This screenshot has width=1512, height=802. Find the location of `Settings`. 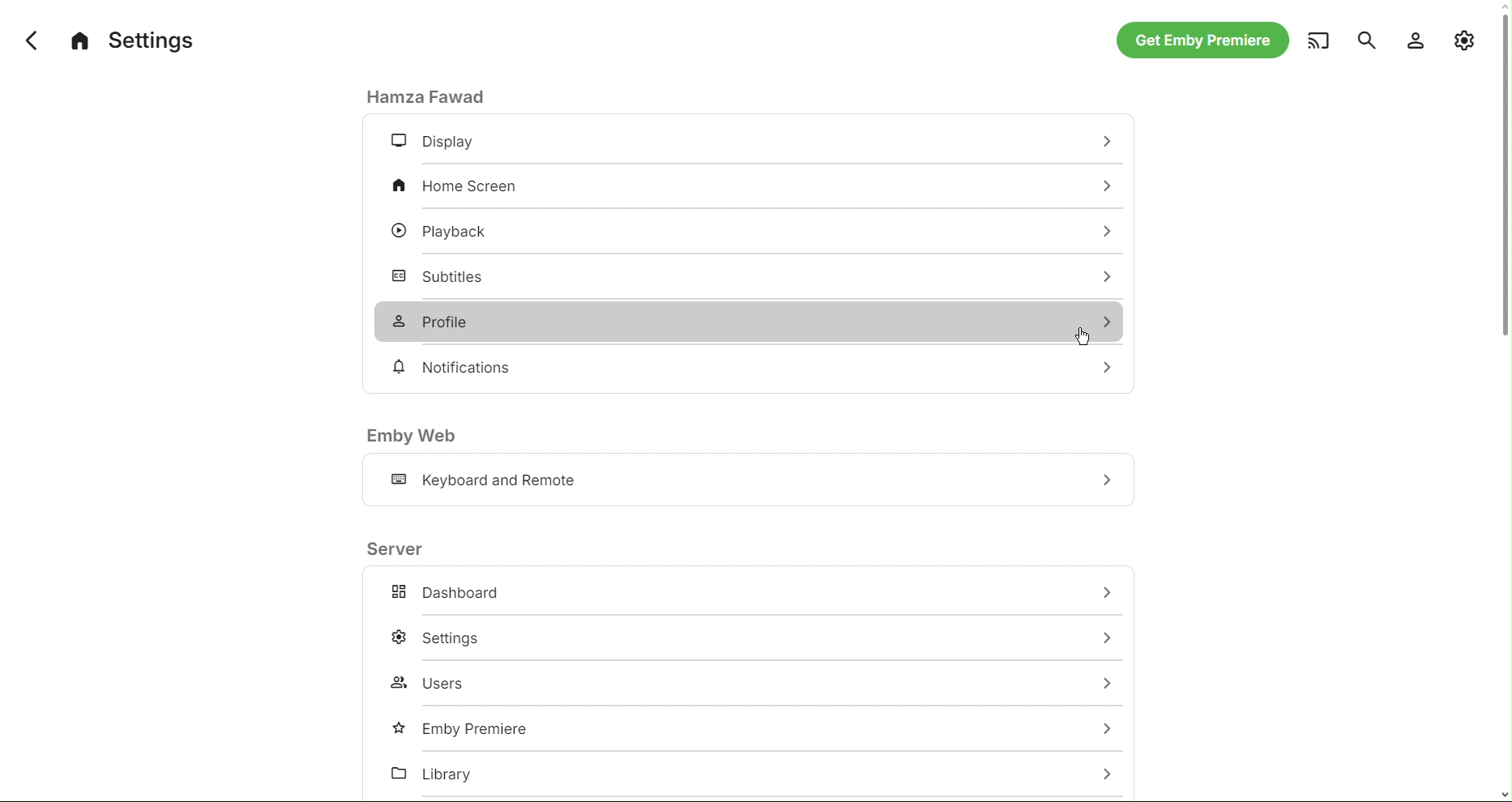

Settings is located at coordinates (133, 37).